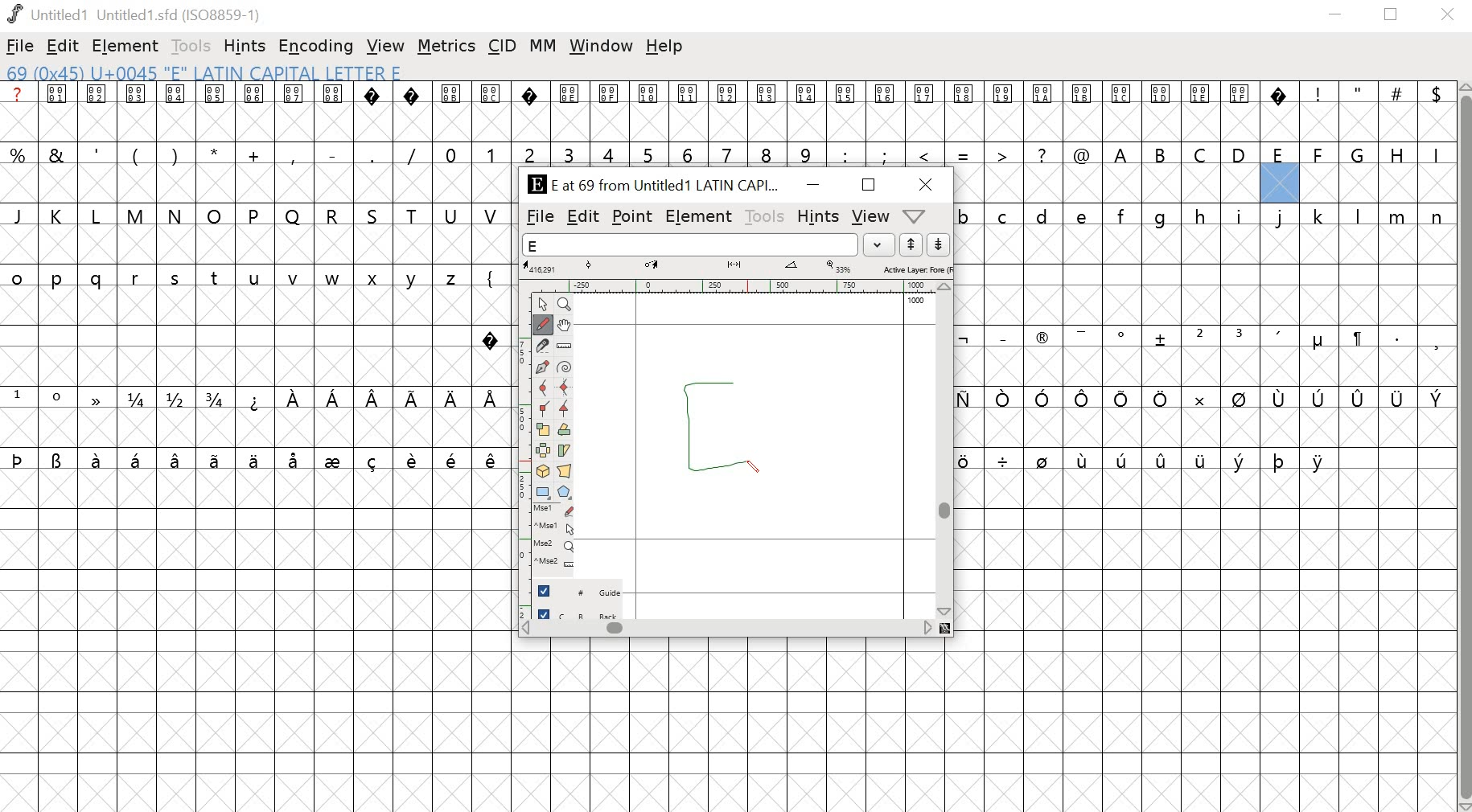  I want to click on element, so click(698, 216).